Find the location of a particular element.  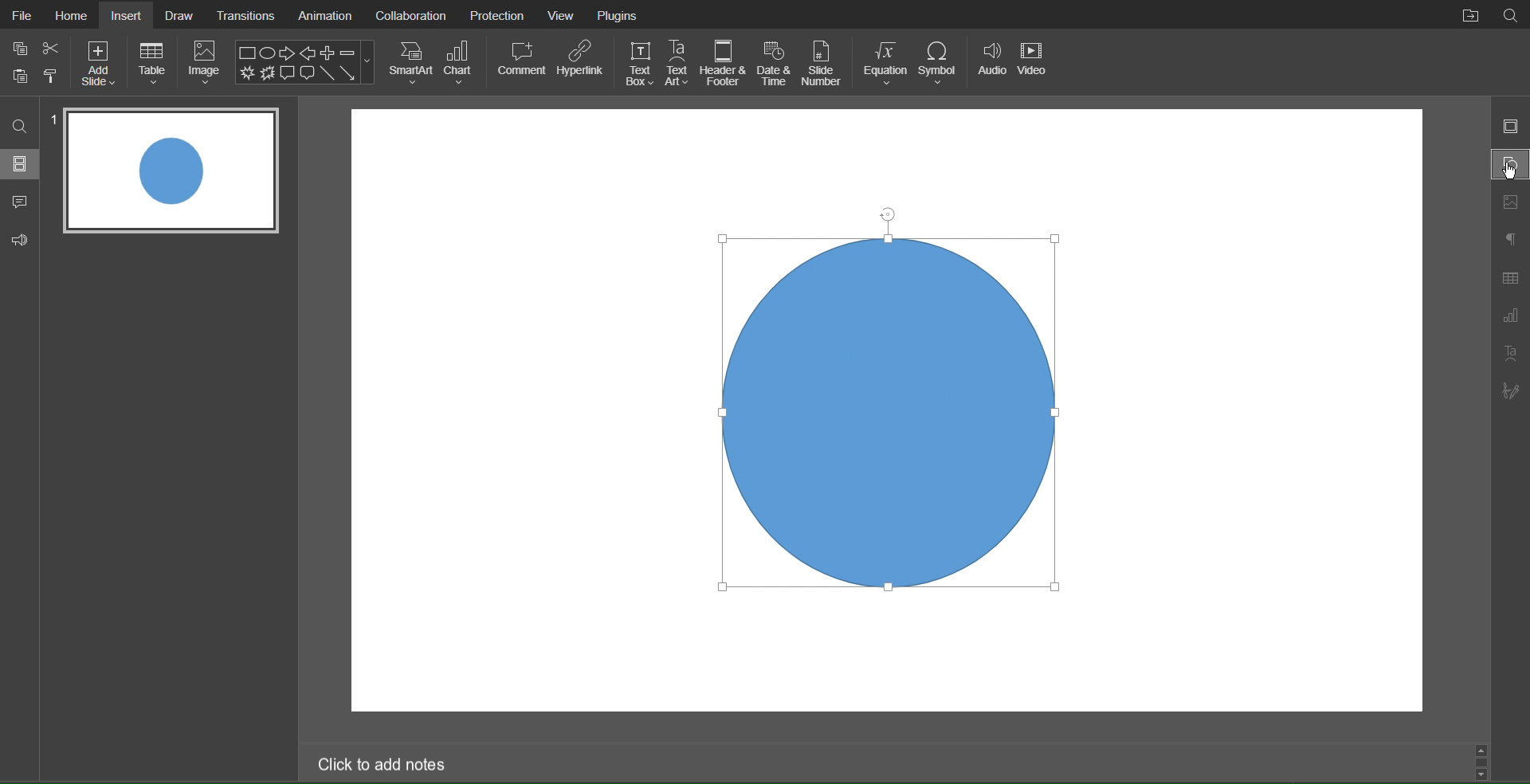

Animation is located at coordinates (324, 16).